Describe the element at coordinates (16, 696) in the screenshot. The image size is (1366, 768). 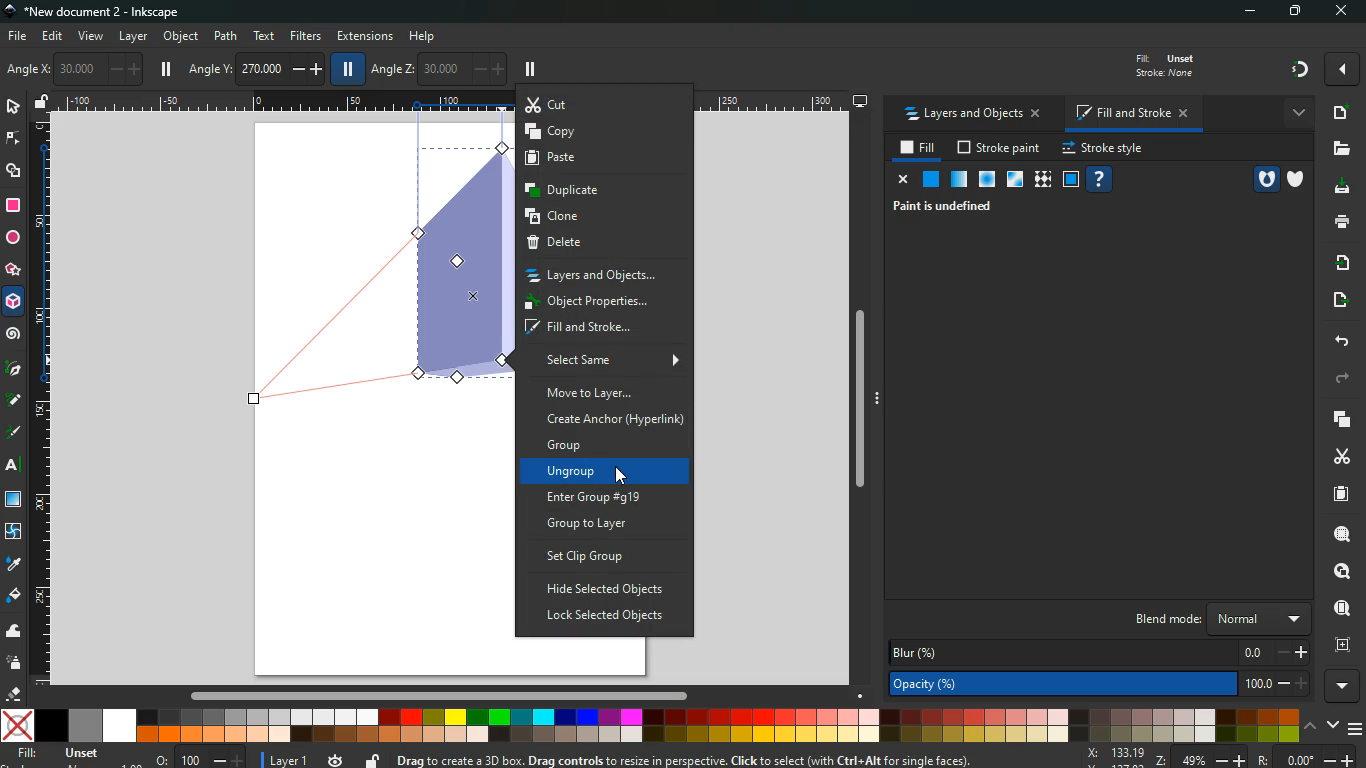
I see `eraser` at that location.